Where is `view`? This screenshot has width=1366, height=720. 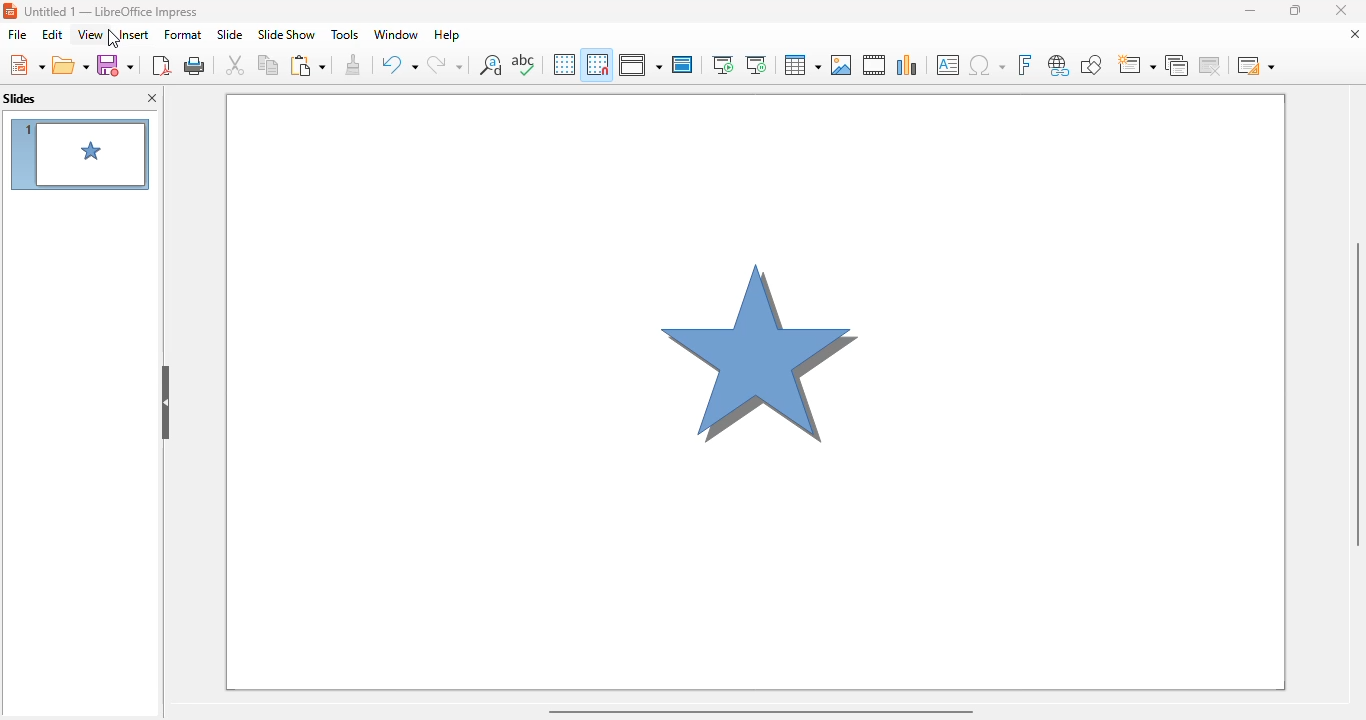 view is located at coordinates (91, 34).